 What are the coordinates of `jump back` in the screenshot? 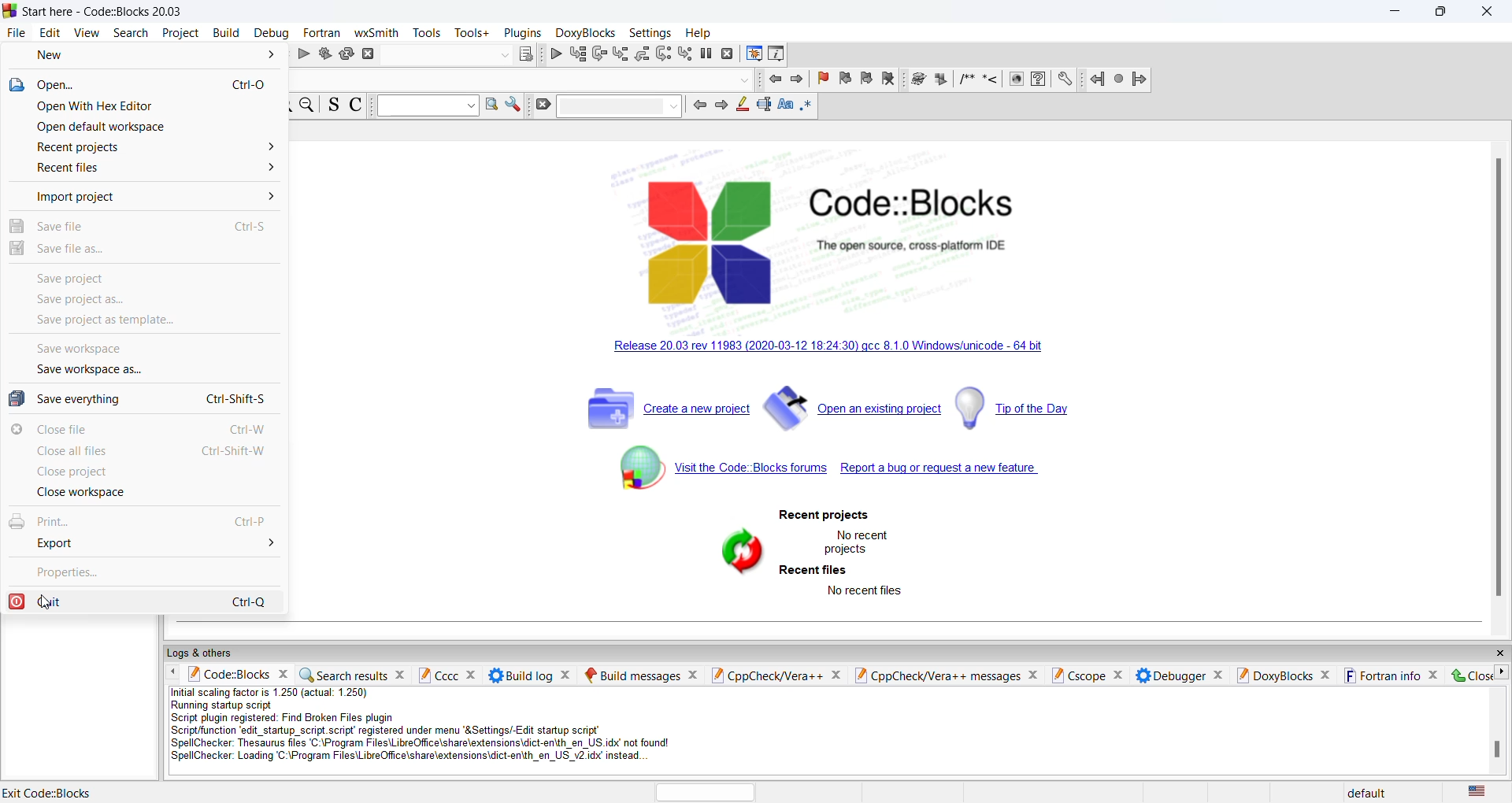 It's located at (1093, 80).